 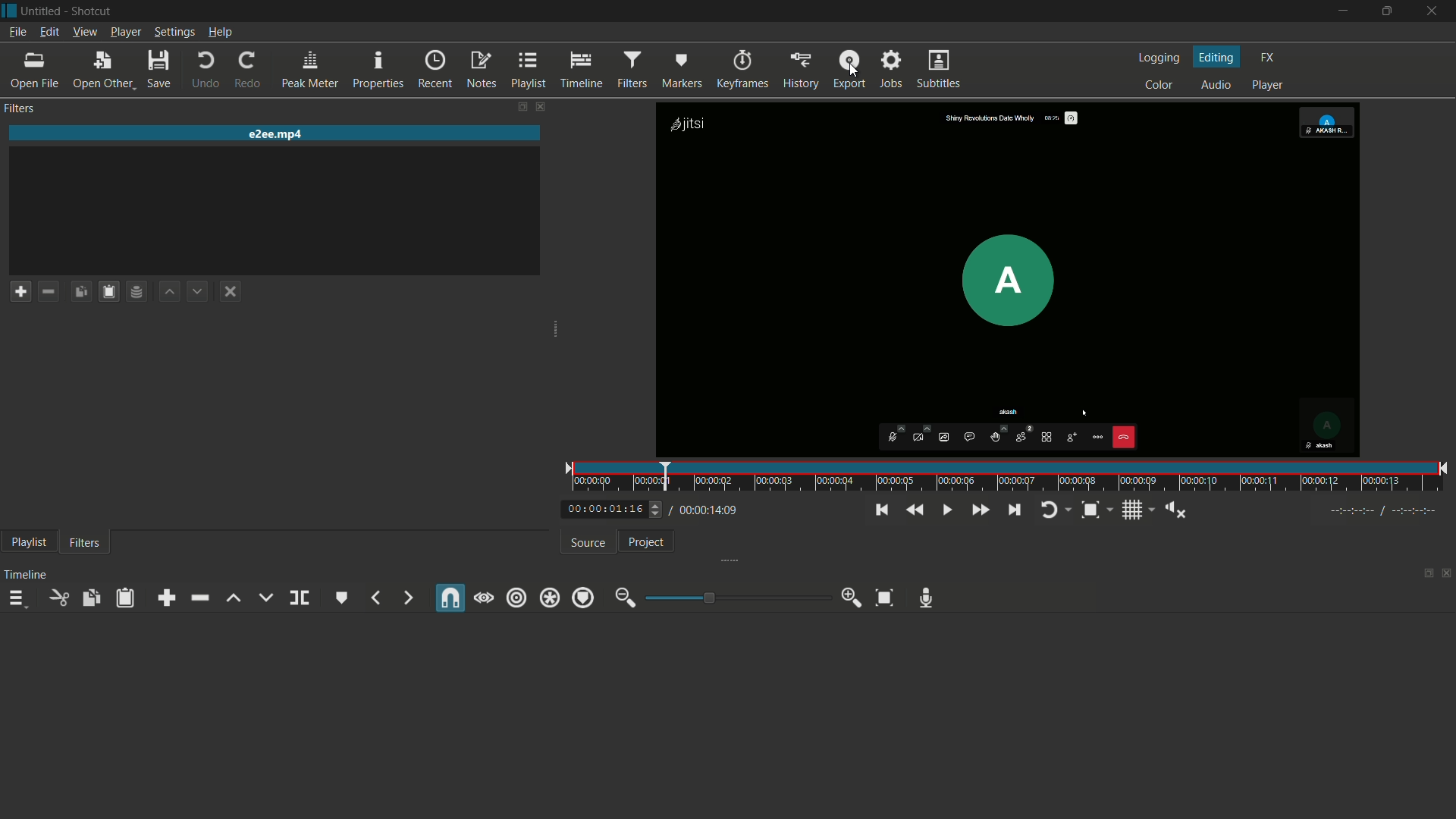 What do you see at coordinates (853, 598) in the screenshot?
I see `zoom in` at bounding box center [853, 598].